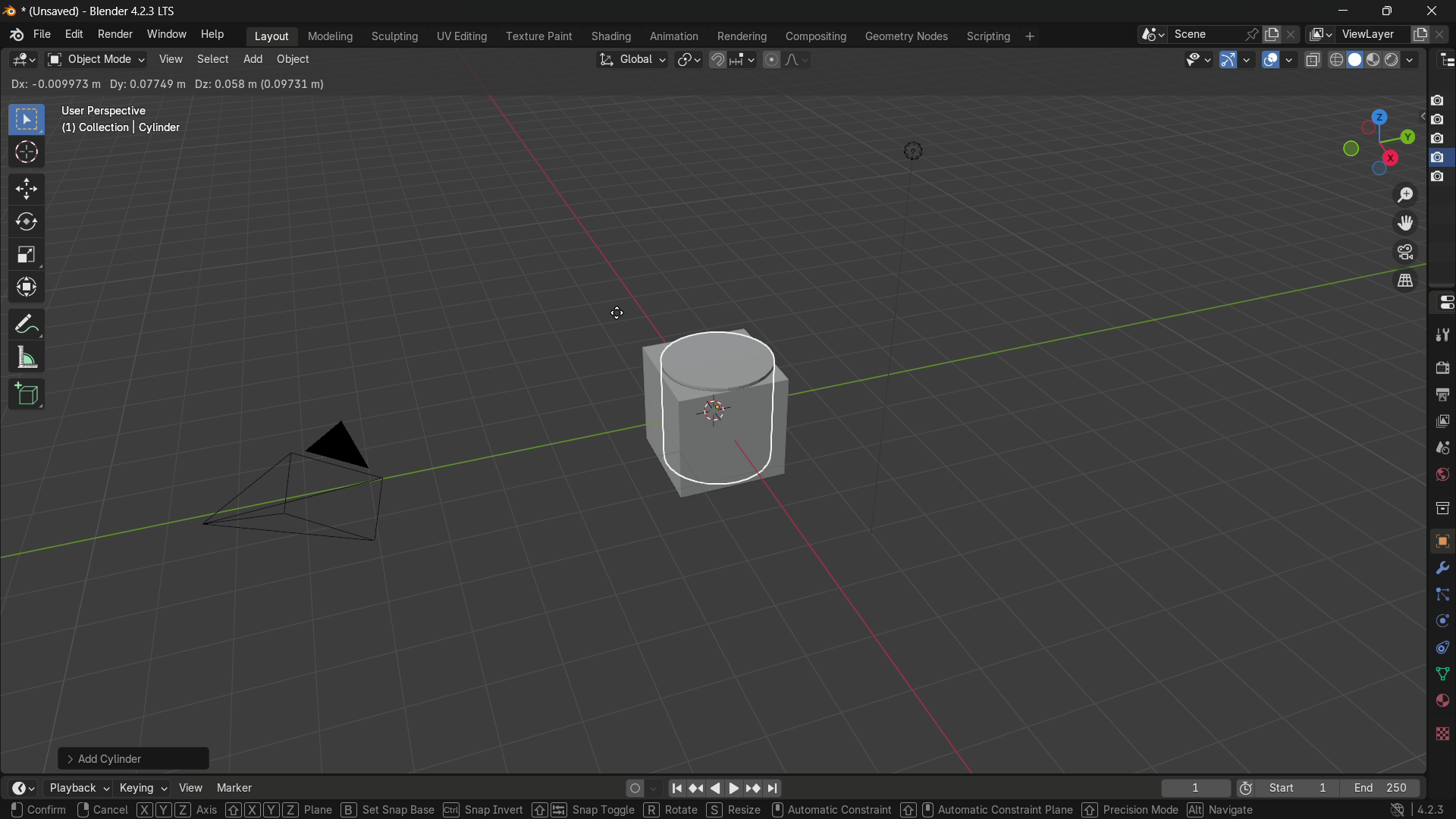  I want to click on add menu, so click(251, 60).